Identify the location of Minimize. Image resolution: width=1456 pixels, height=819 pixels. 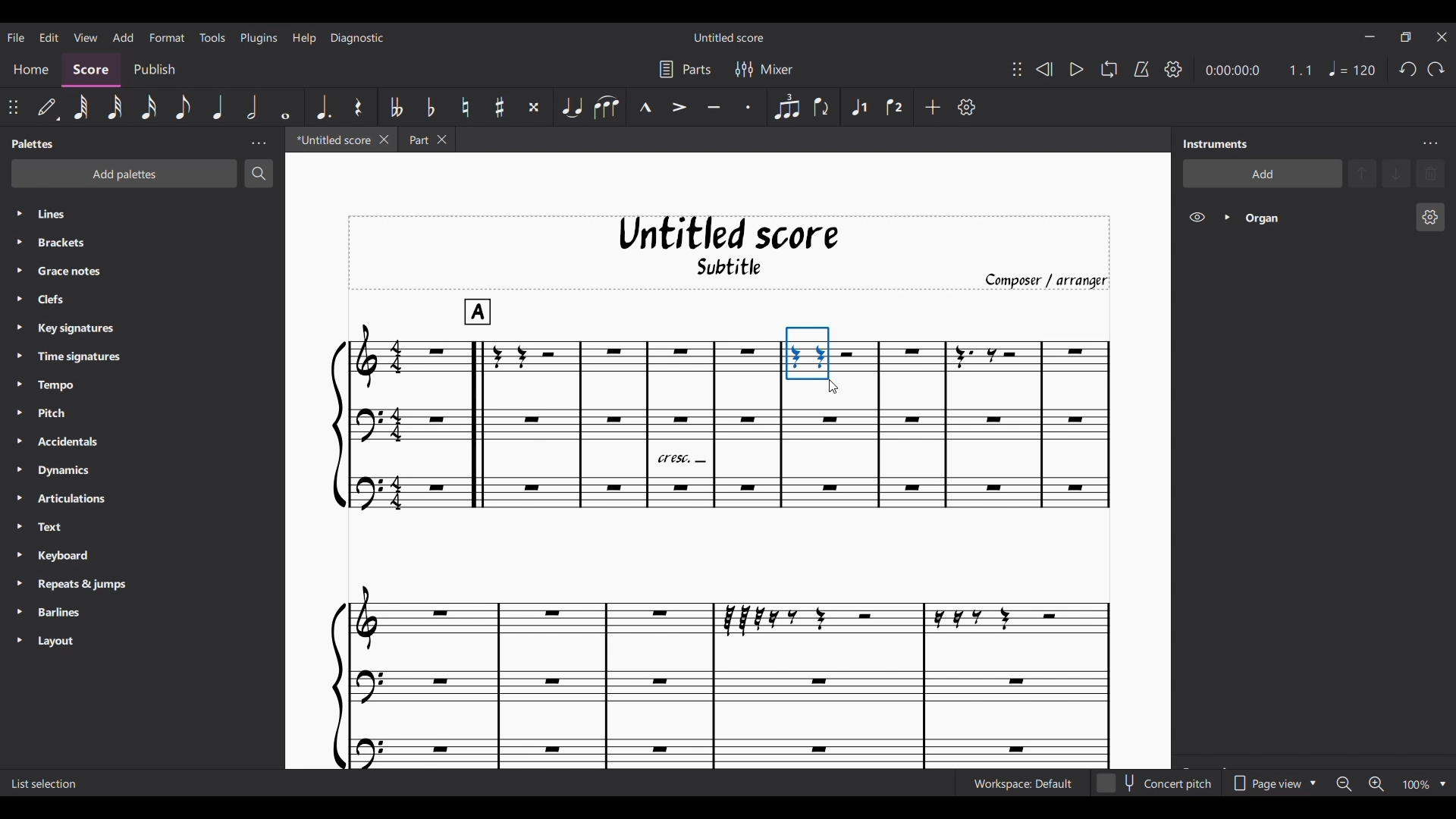
(1370, 36).